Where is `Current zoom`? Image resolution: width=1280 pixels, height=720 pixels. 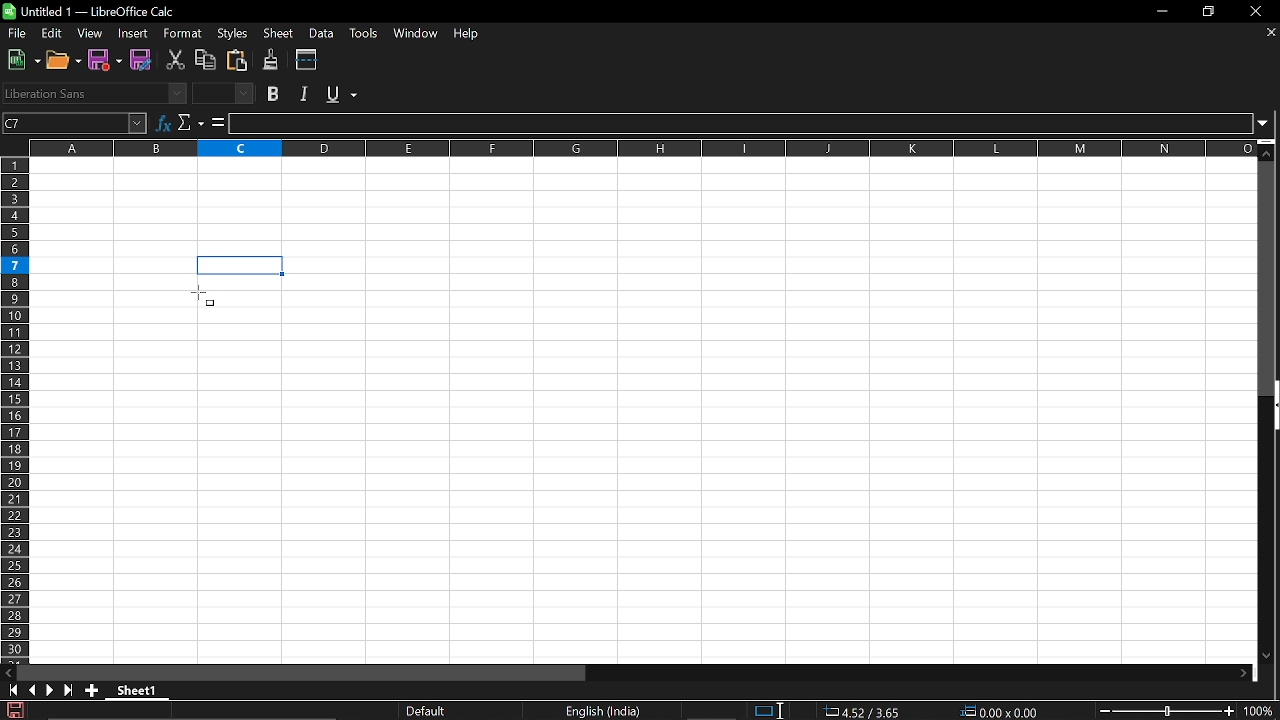 Current zoom is located at coordinates (1262, 711).